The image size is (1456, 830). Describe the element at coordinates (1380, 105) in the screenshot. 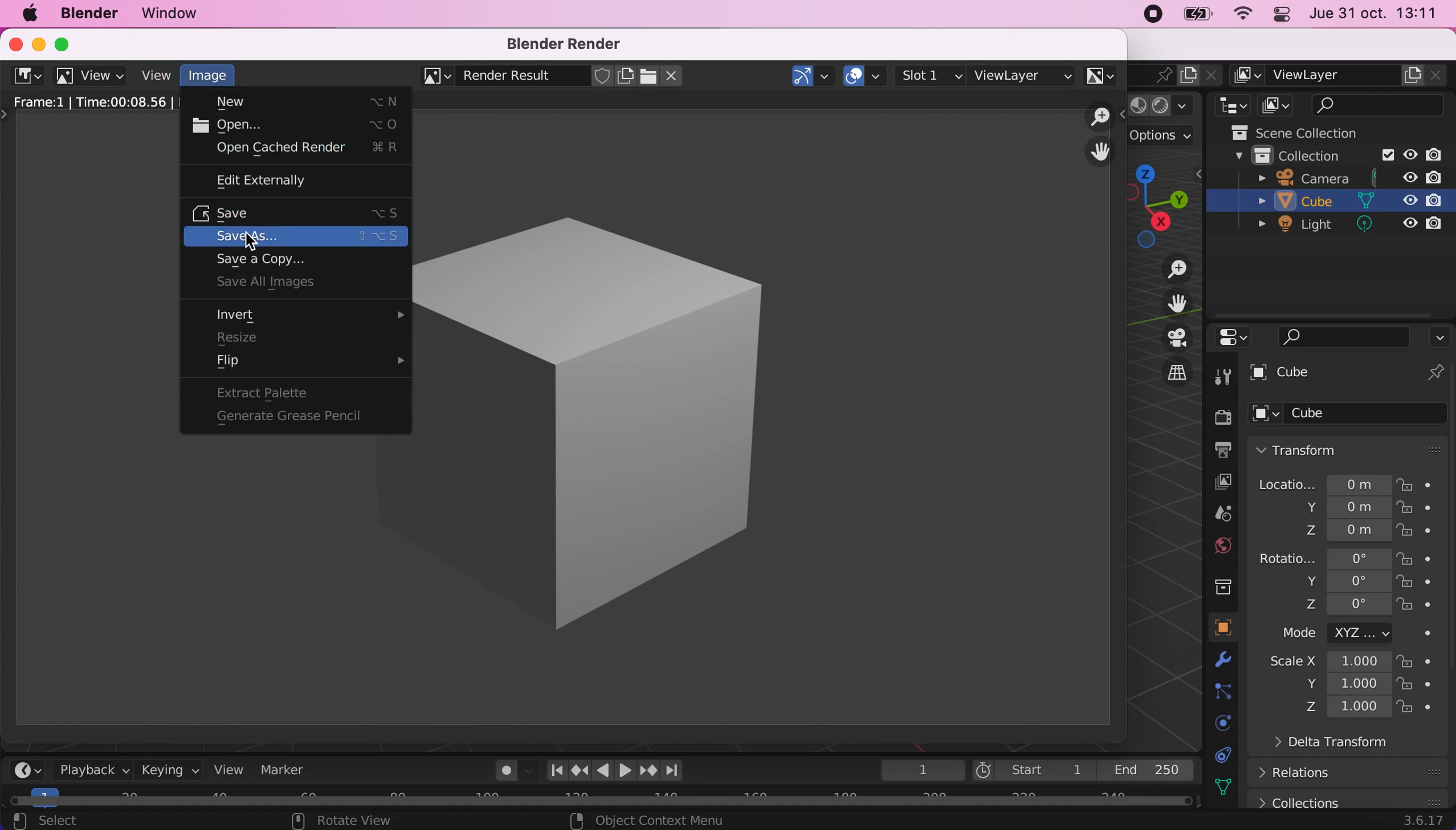

I see `search` at that location.